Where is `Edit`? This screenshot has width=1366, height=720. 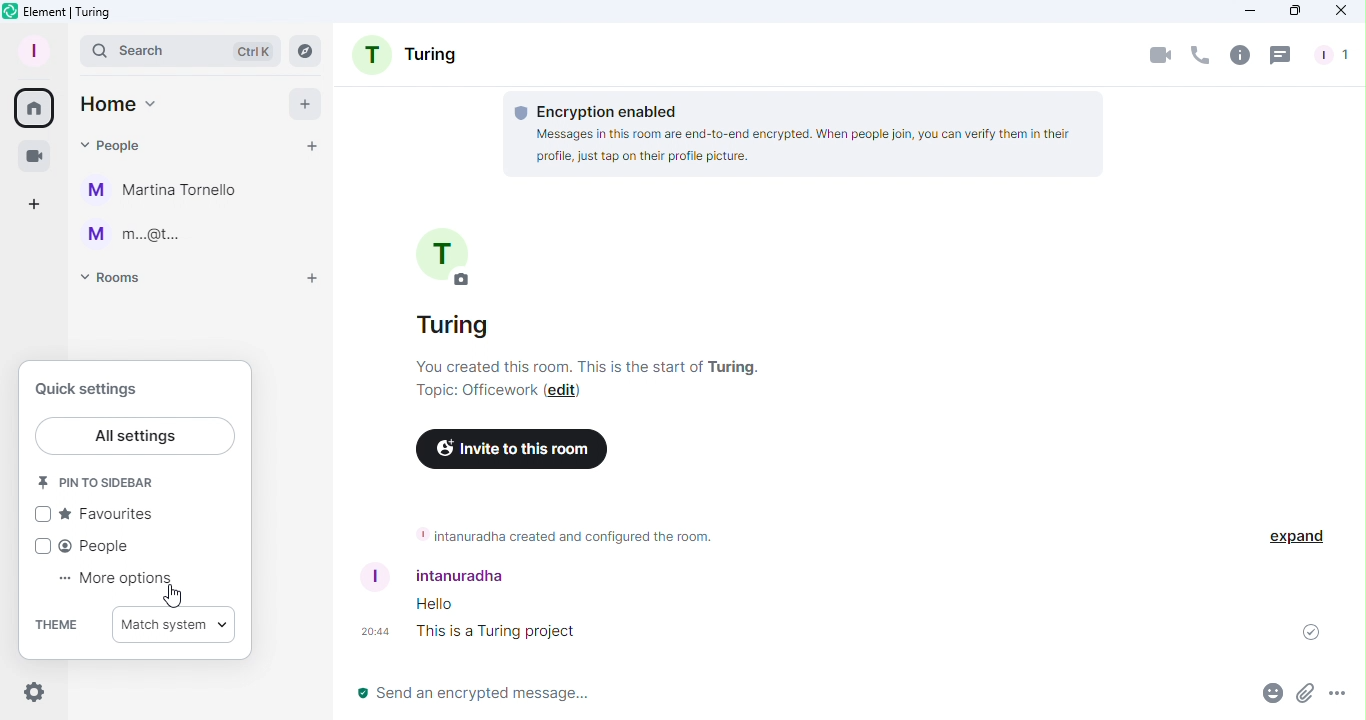
Edit is located at coordinates (563, 392).